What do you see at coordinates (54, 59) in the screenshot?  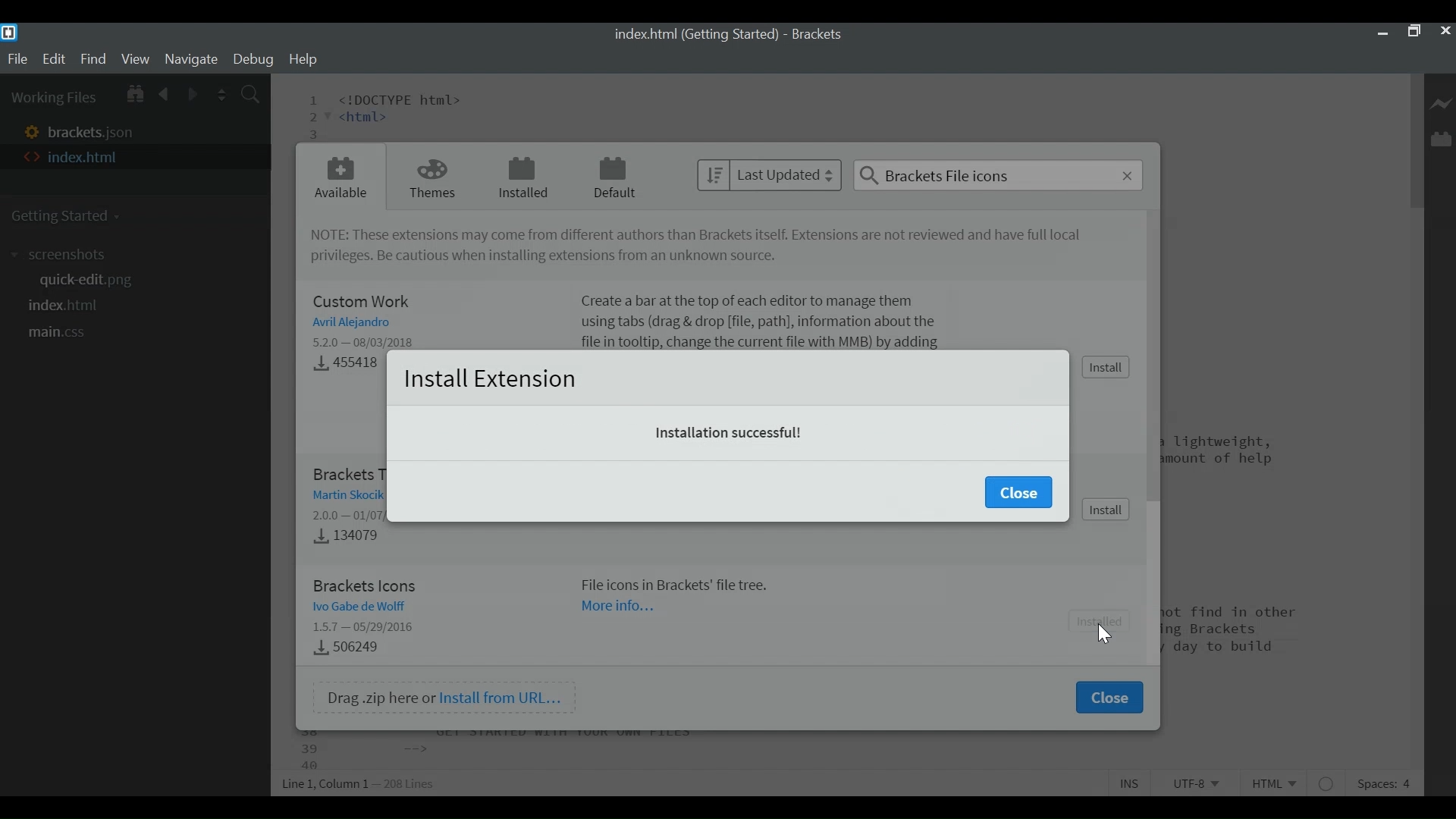 I see `Edit` at bounding box center [54, 59].